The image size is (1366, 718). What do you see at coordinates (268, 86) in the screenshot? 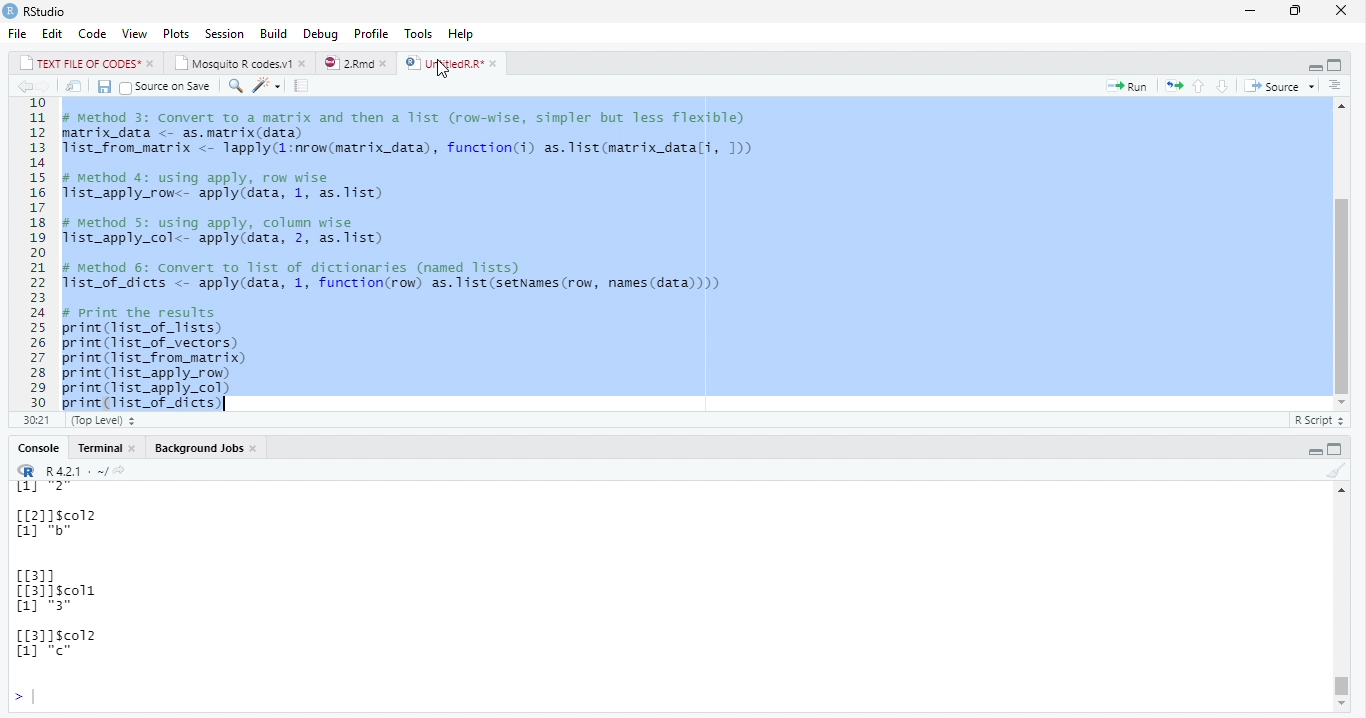
I see `code tools` at bounding box center [268, 86].